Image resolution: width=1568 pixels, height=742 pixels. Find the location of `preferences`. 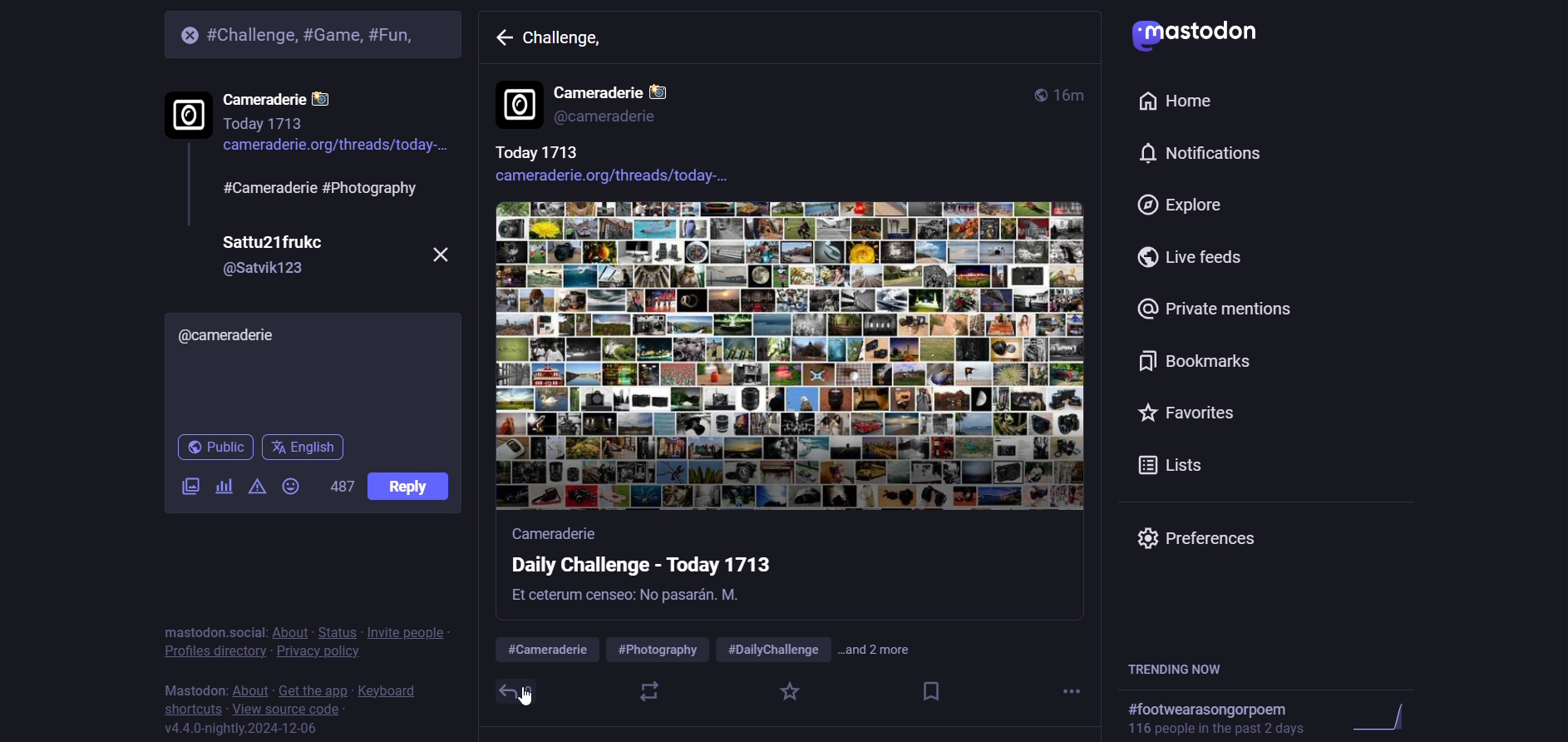

preferences is located at coordinates (1206, 537).